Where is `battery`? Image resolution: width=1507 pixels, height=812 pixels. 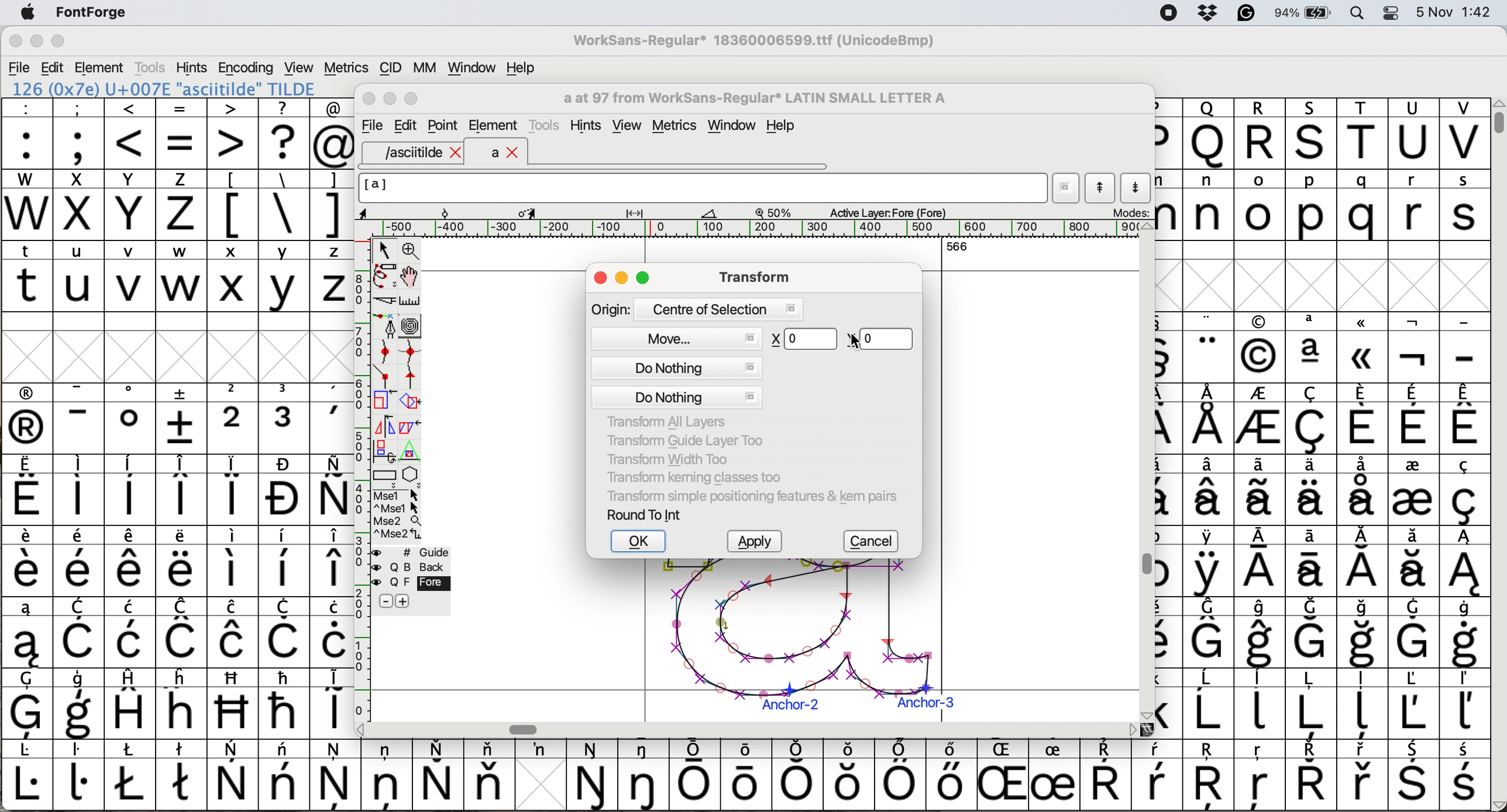
battery is located at coordinates (1308, 12).